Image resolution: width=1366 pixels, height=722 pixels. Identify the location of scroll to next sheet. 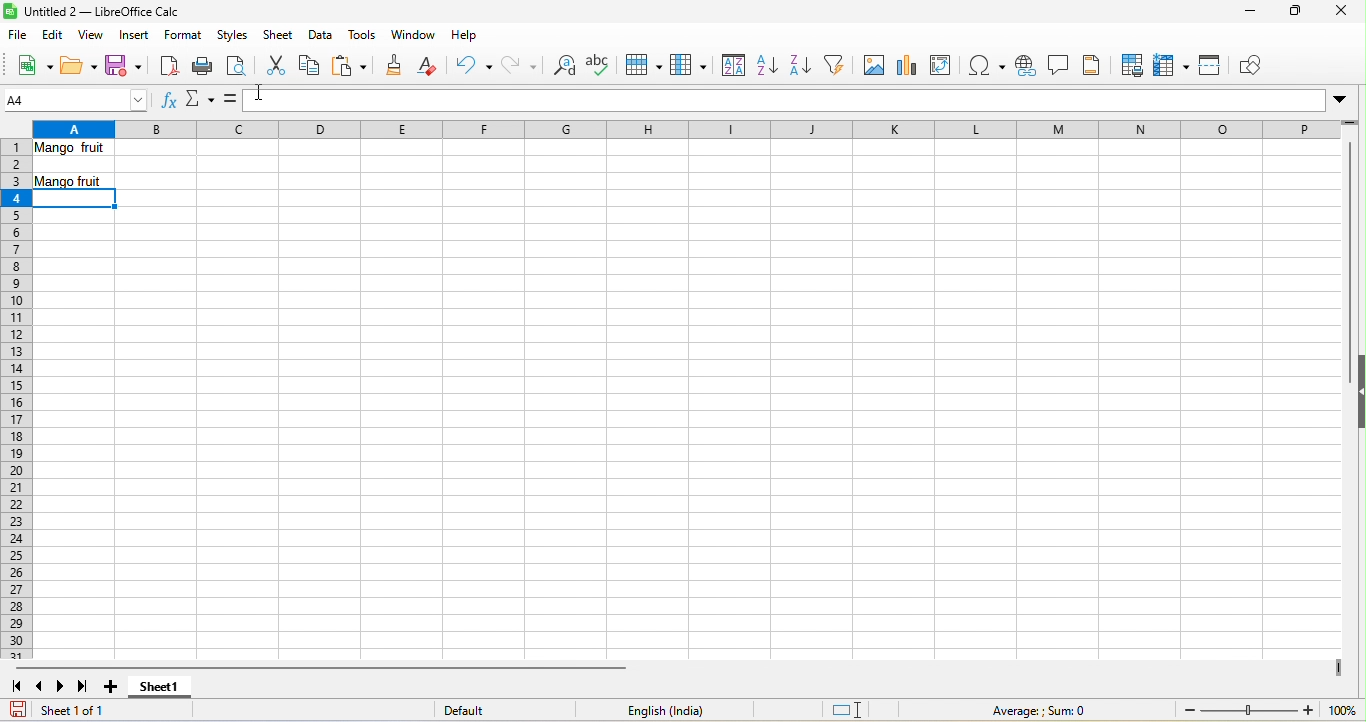
(59, 687).